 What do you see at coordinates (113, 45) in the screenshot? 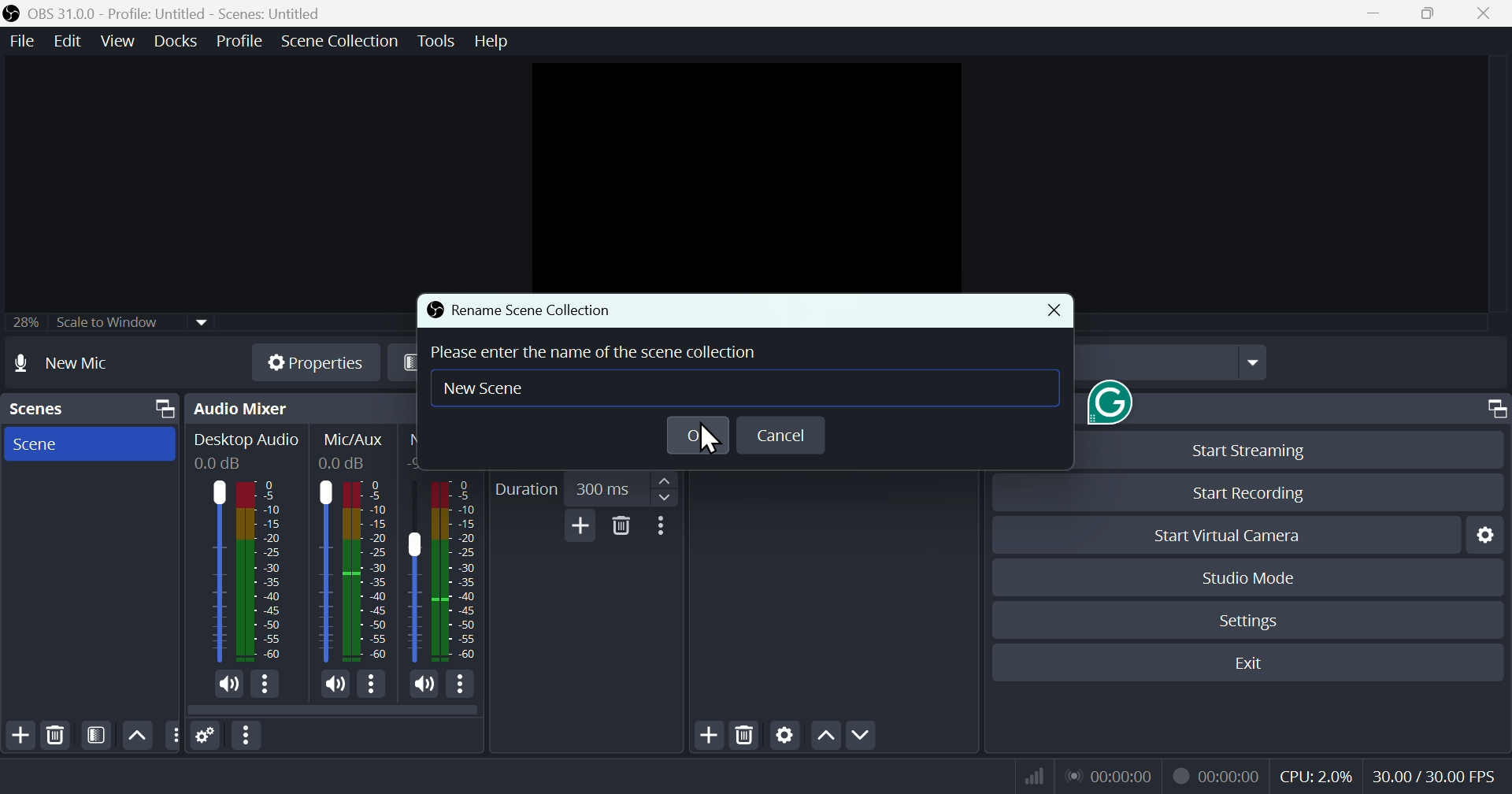
I see `View` at bounding box center [113, 45].